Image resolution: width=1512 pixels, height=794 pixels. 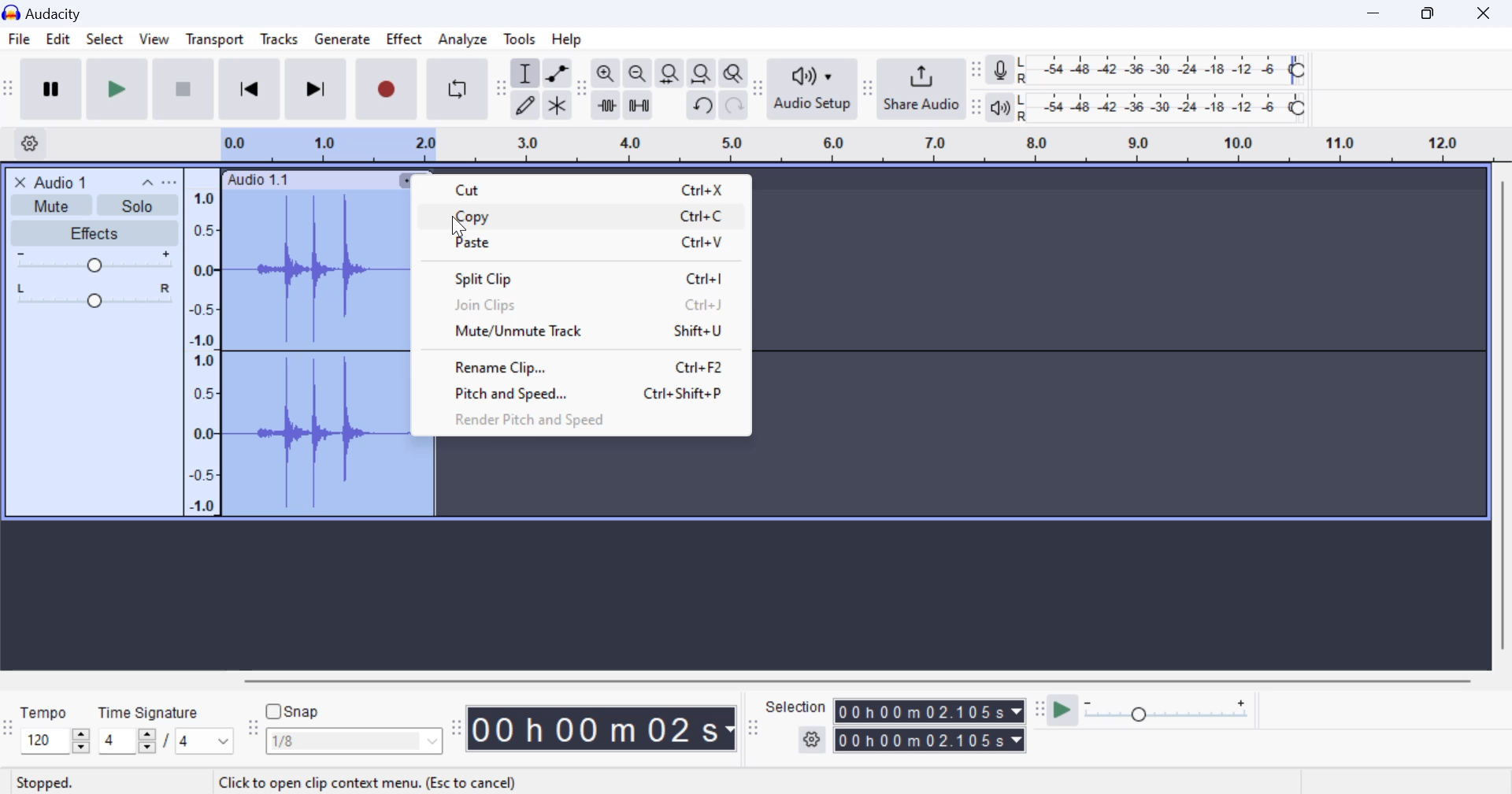 I want to click on Minimize, so click(x=1432, y=12).